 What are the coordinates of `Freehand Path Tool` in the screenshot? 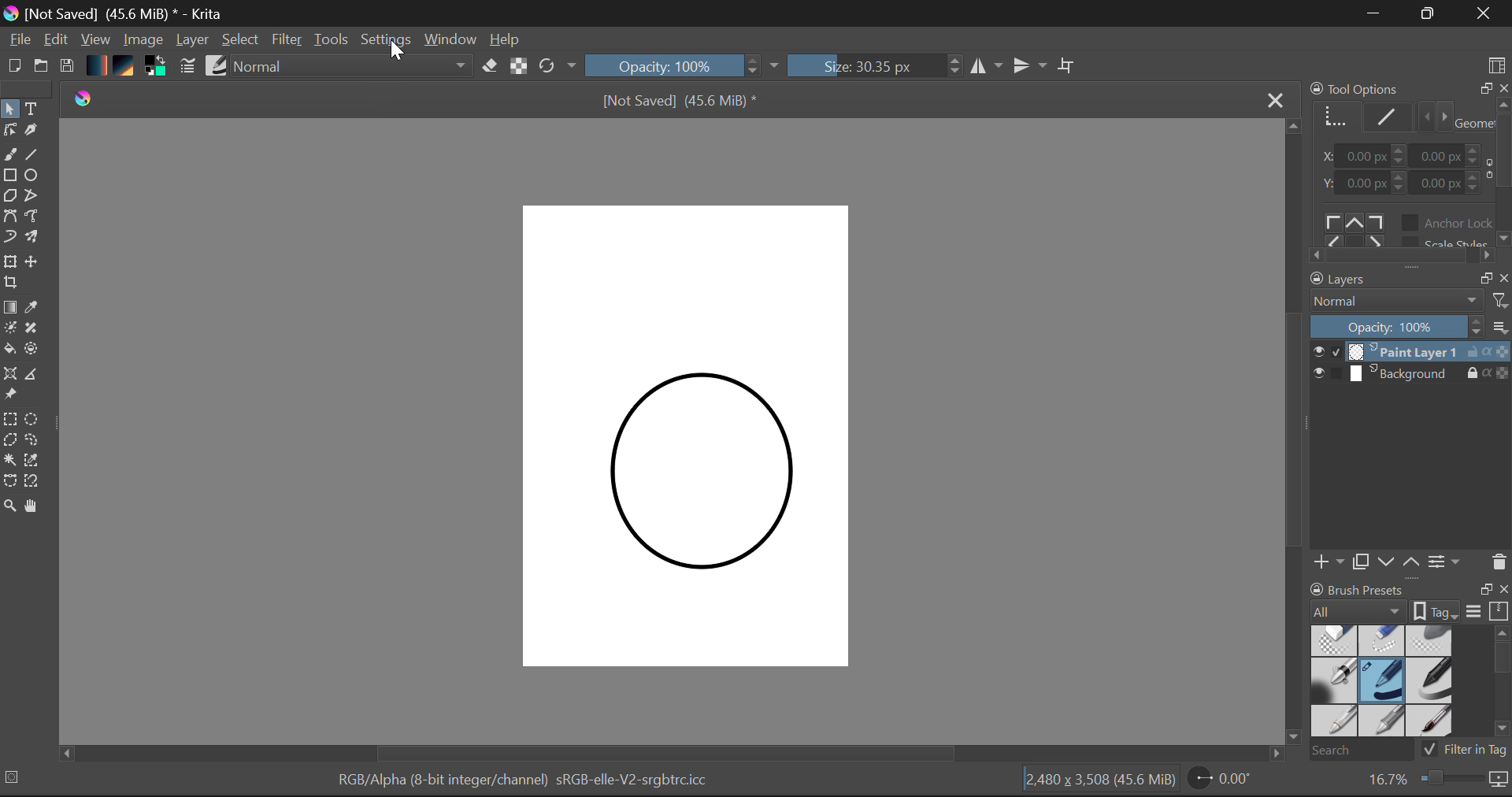 It's located at (38, 218).